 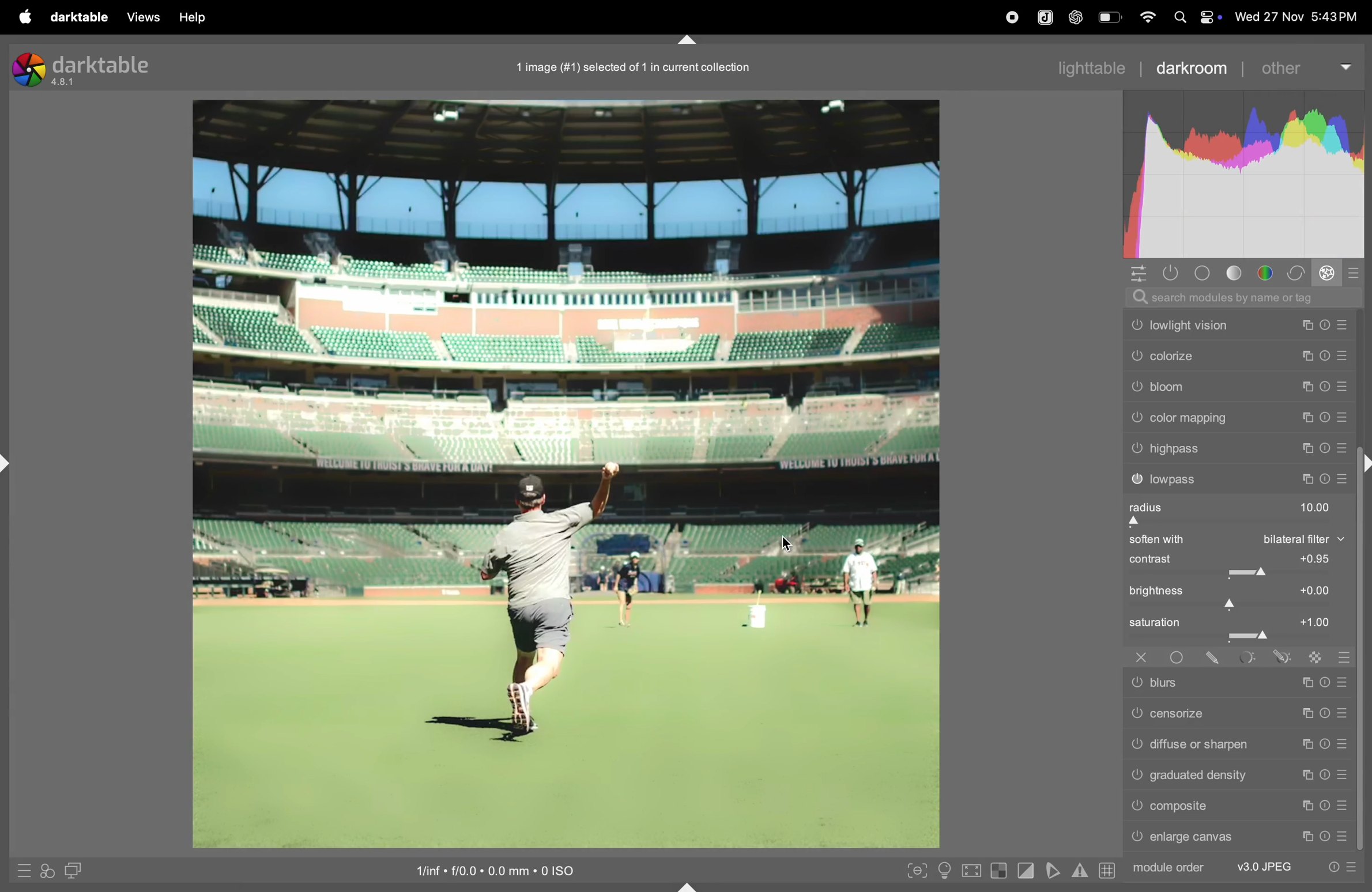 What do you see at coordinates (1326, 273) in the screenshot?
I see `effect` at bounding box center [1326, 273].